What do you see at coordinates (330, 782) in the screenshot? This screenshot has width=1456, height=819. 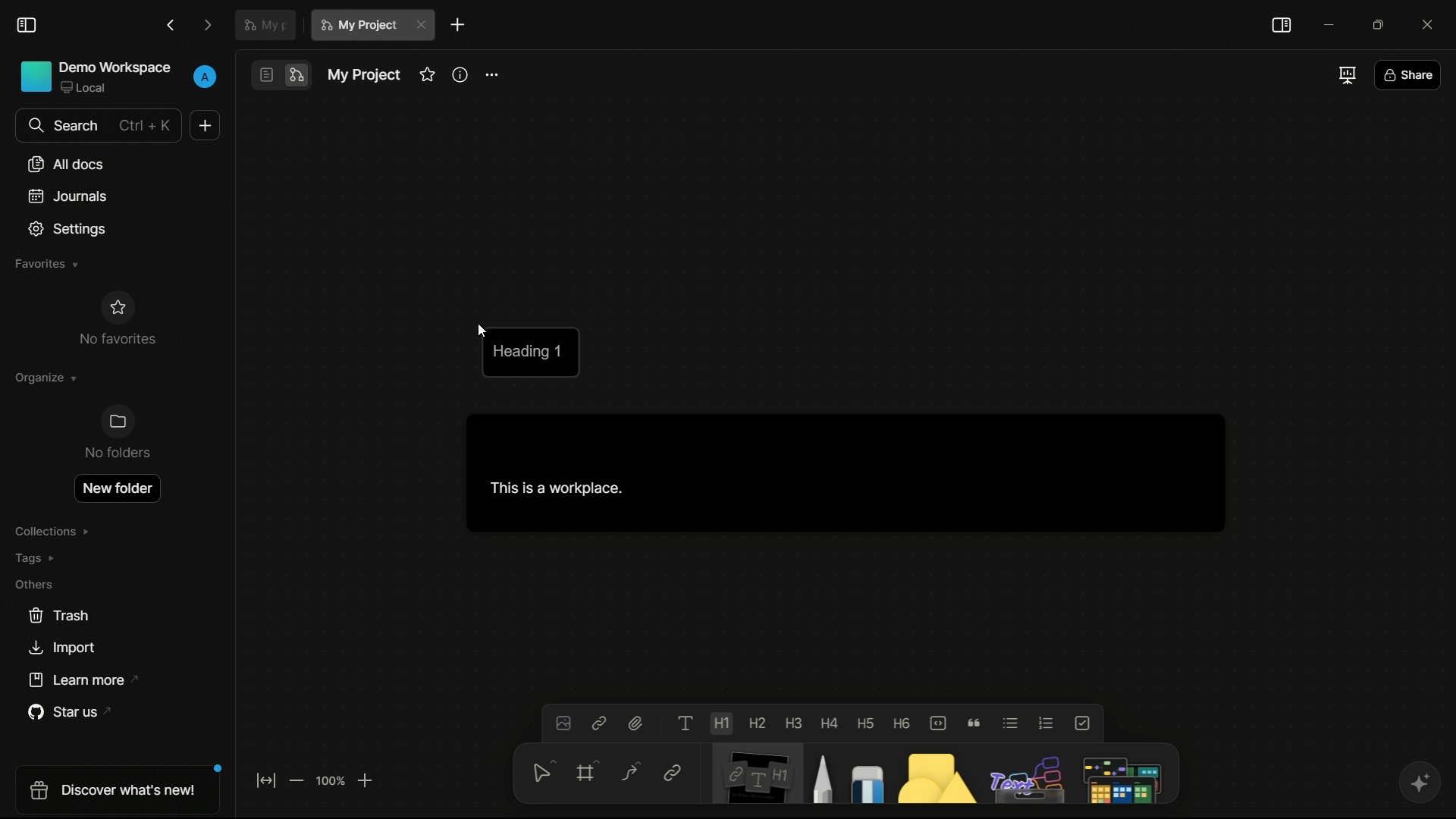 I see `zoom factor` at bounding box center [330, 782].